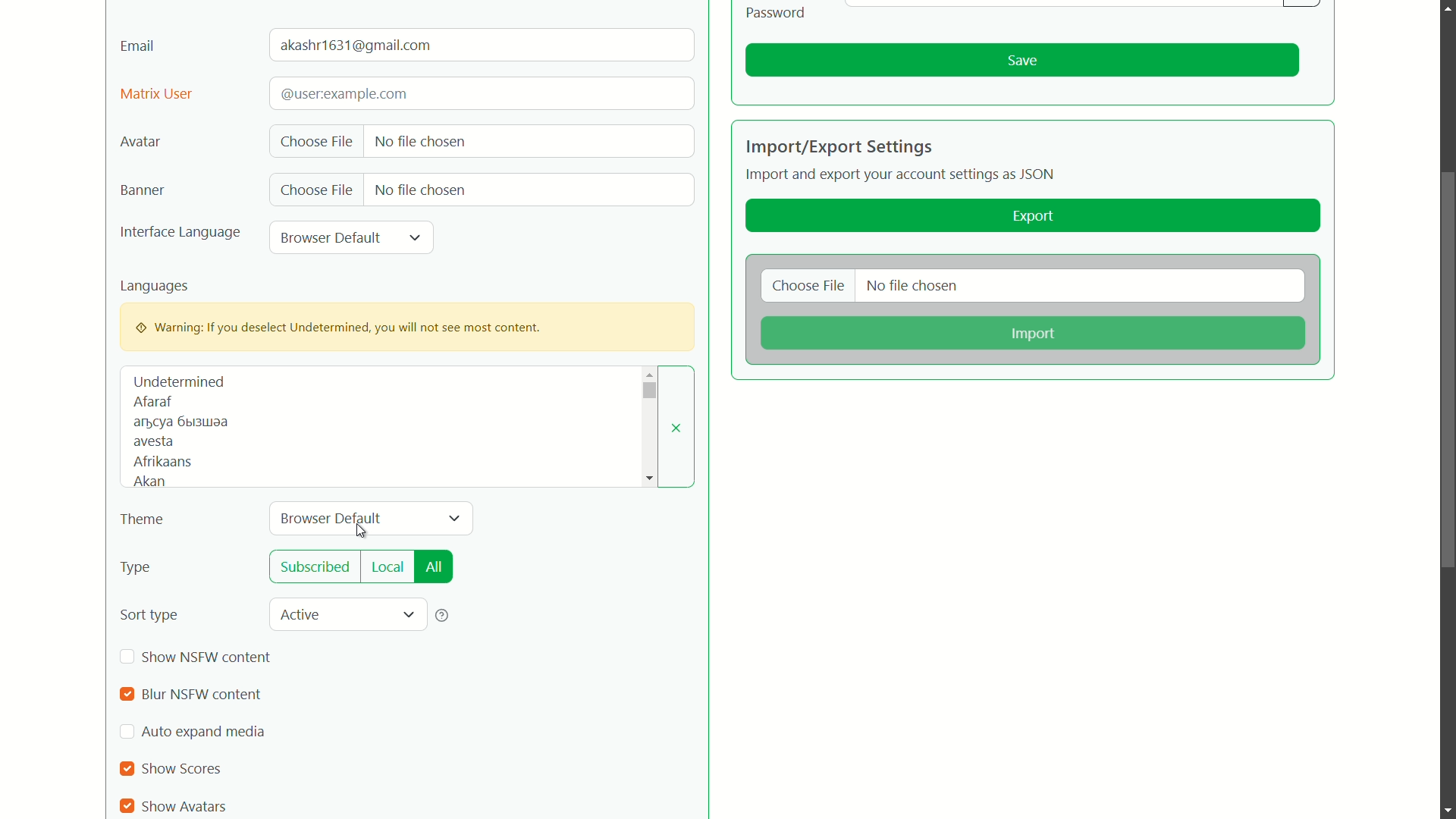 This screenshot has height=819, width=1456. I want to click on avatar, so click(140, 143).